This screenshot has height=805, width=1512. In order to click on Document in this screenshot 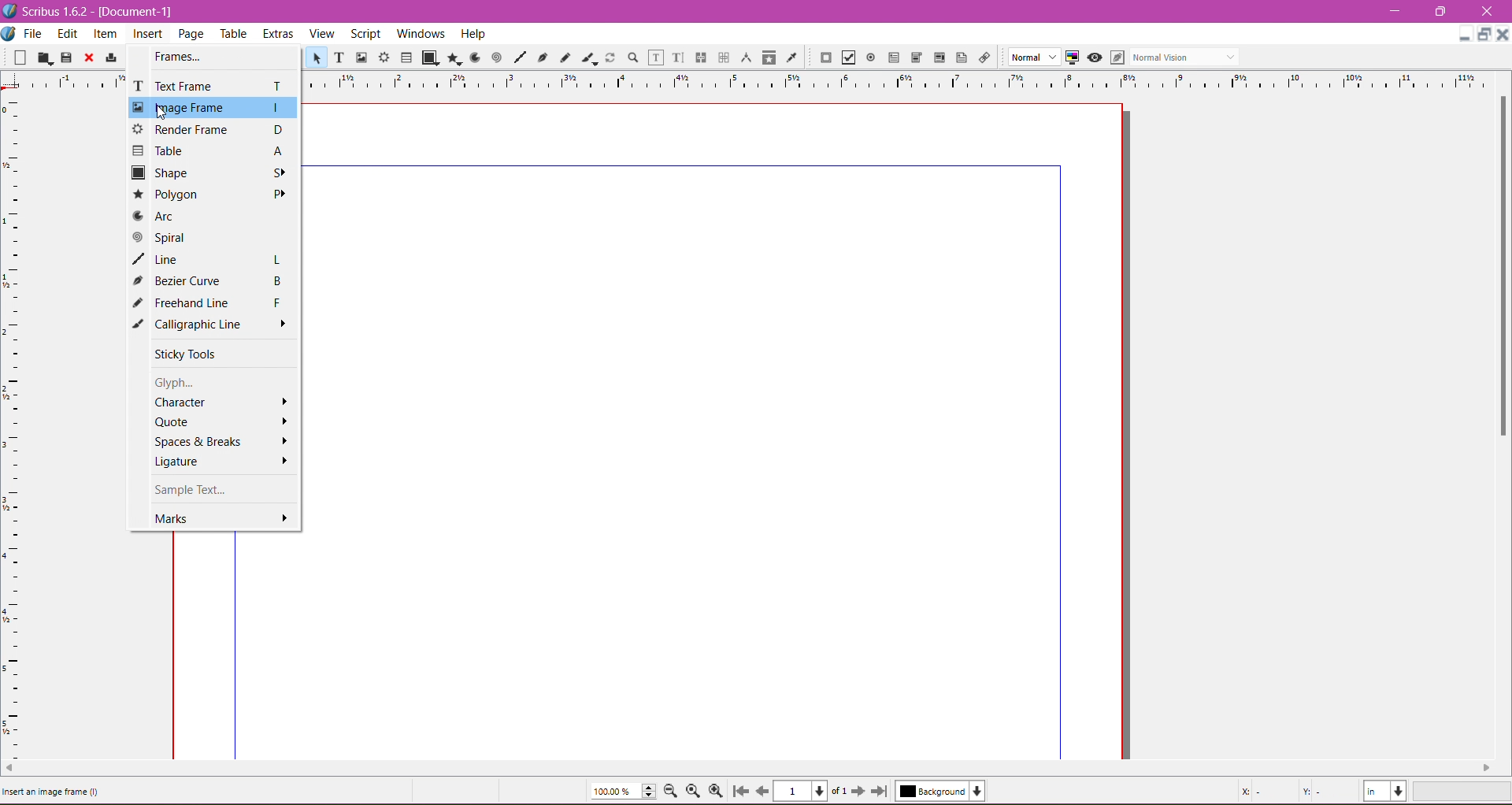, I will do `click(9, 35)`.